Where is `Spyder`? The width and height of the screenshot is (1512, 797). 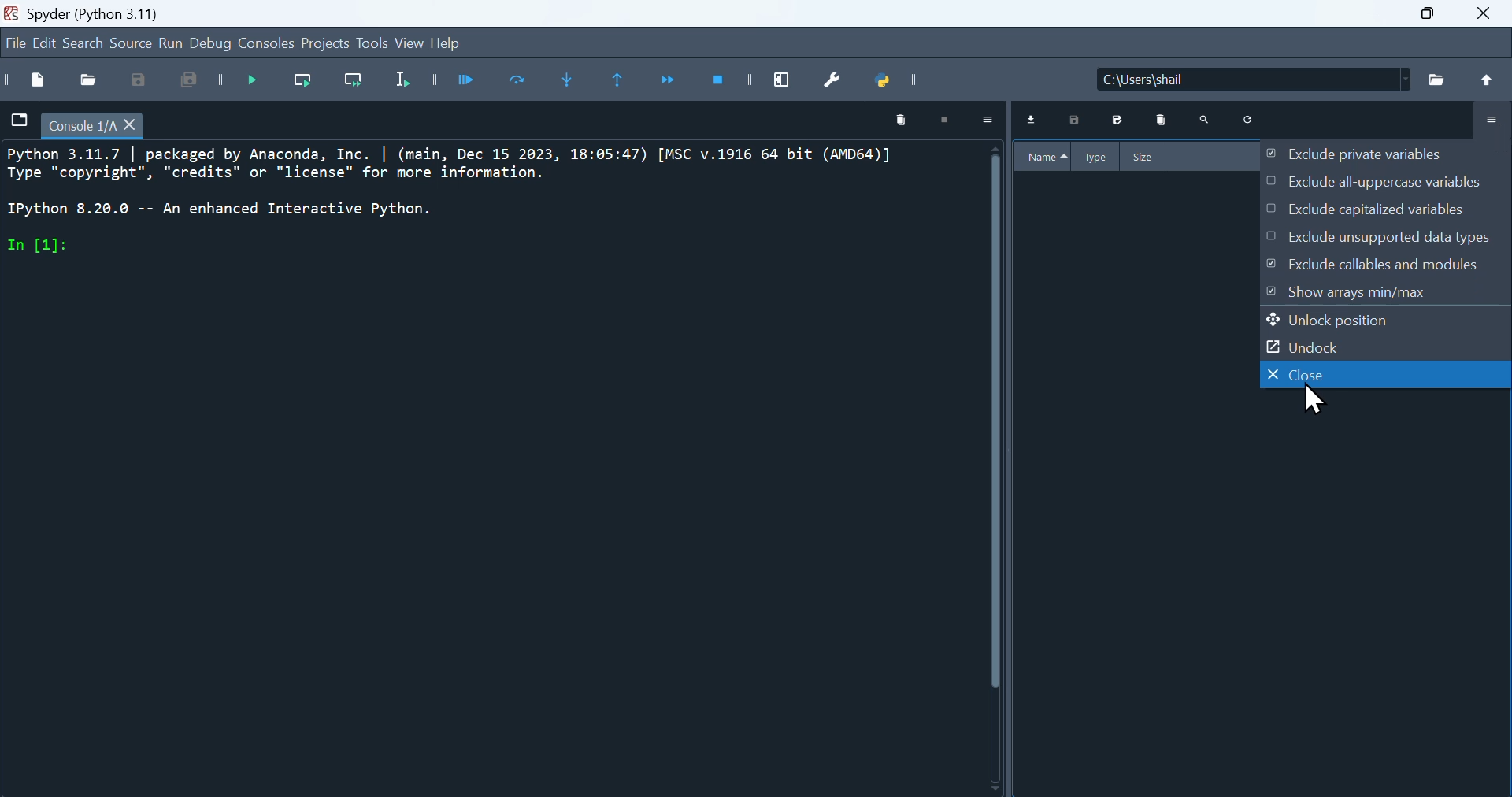
Spyder is located at coordinates (122, 11).